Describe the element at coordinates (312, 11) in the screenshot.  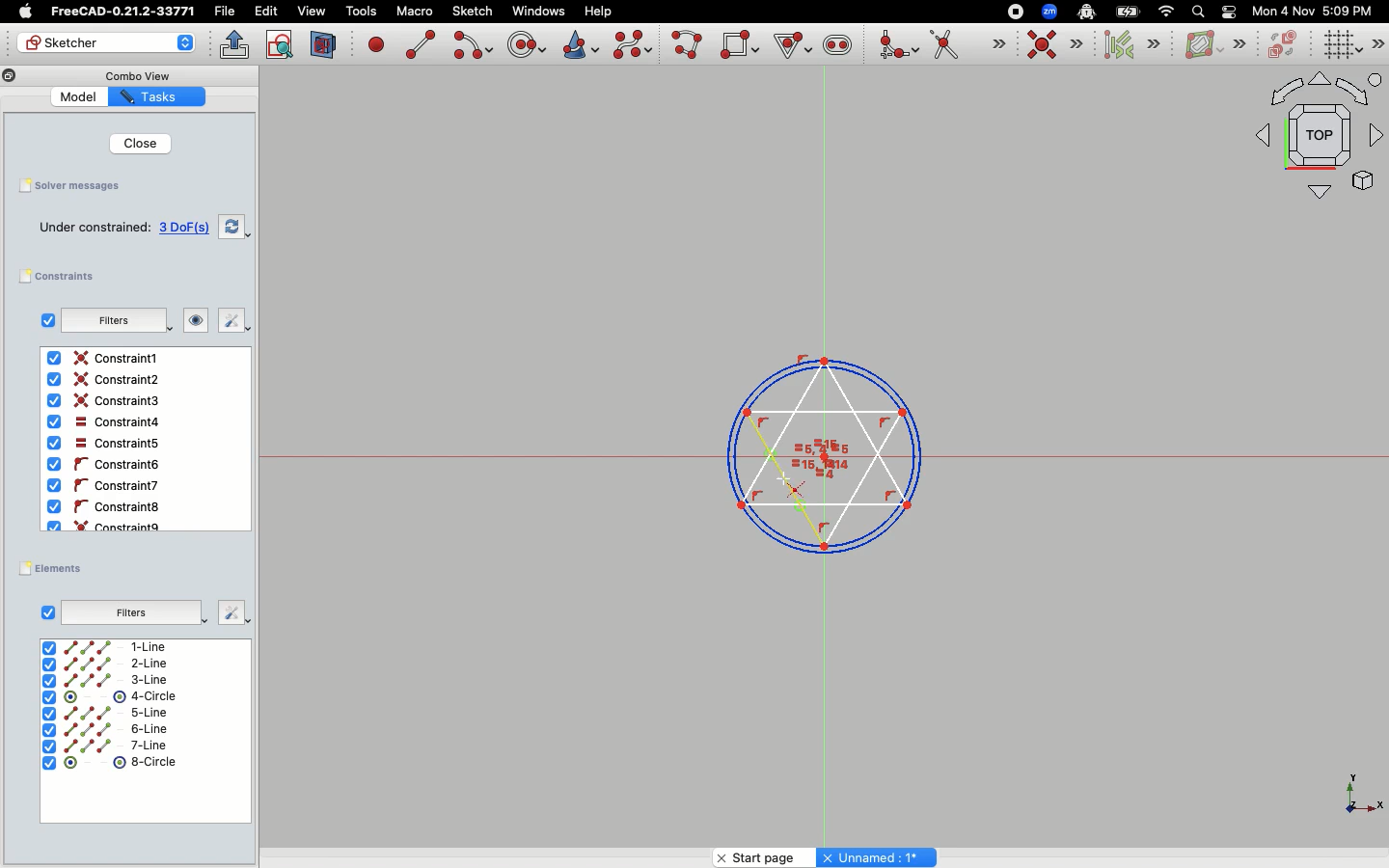
I see `view` at that location.